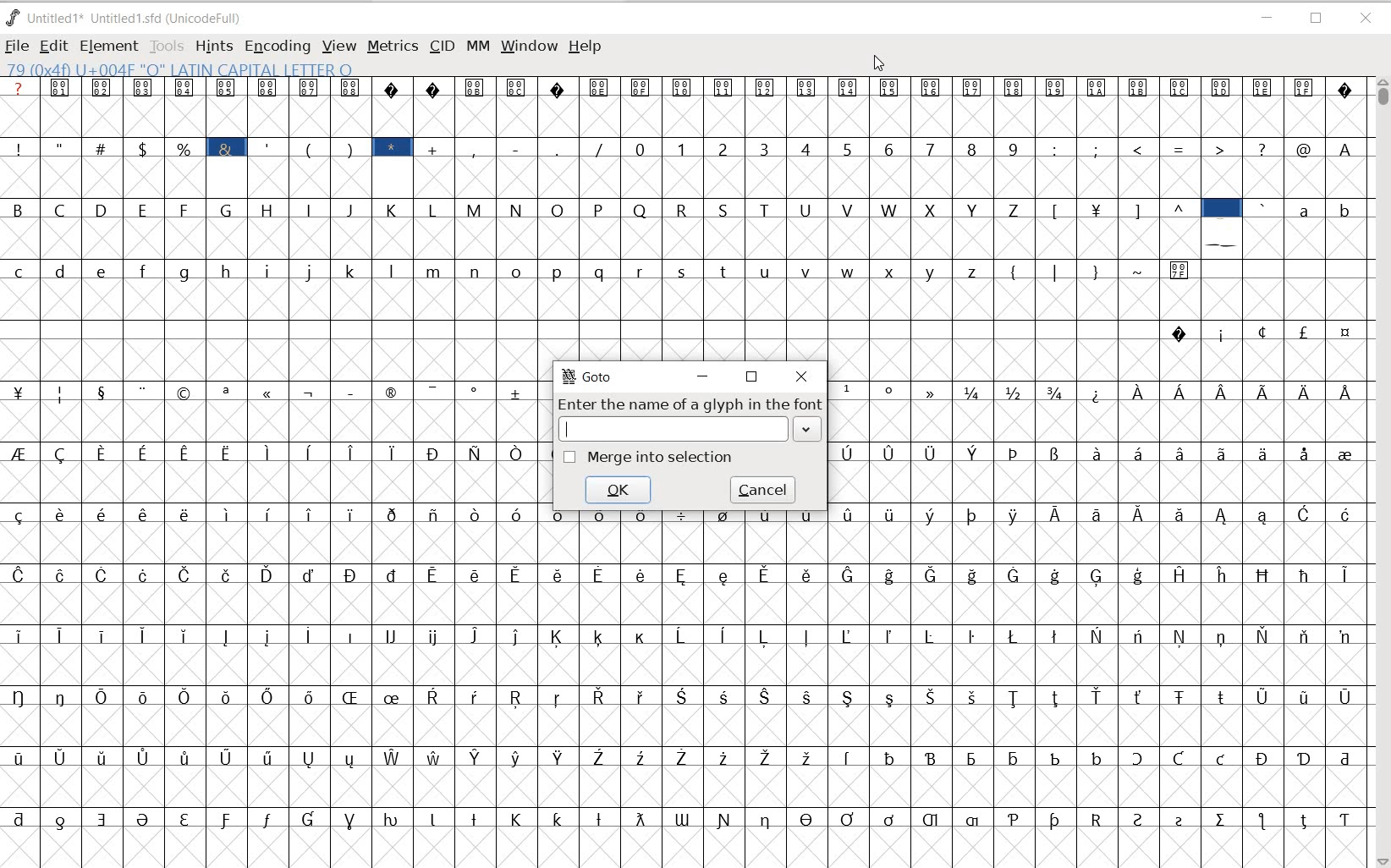  I want to click on merge into selection, so click(649, 456).